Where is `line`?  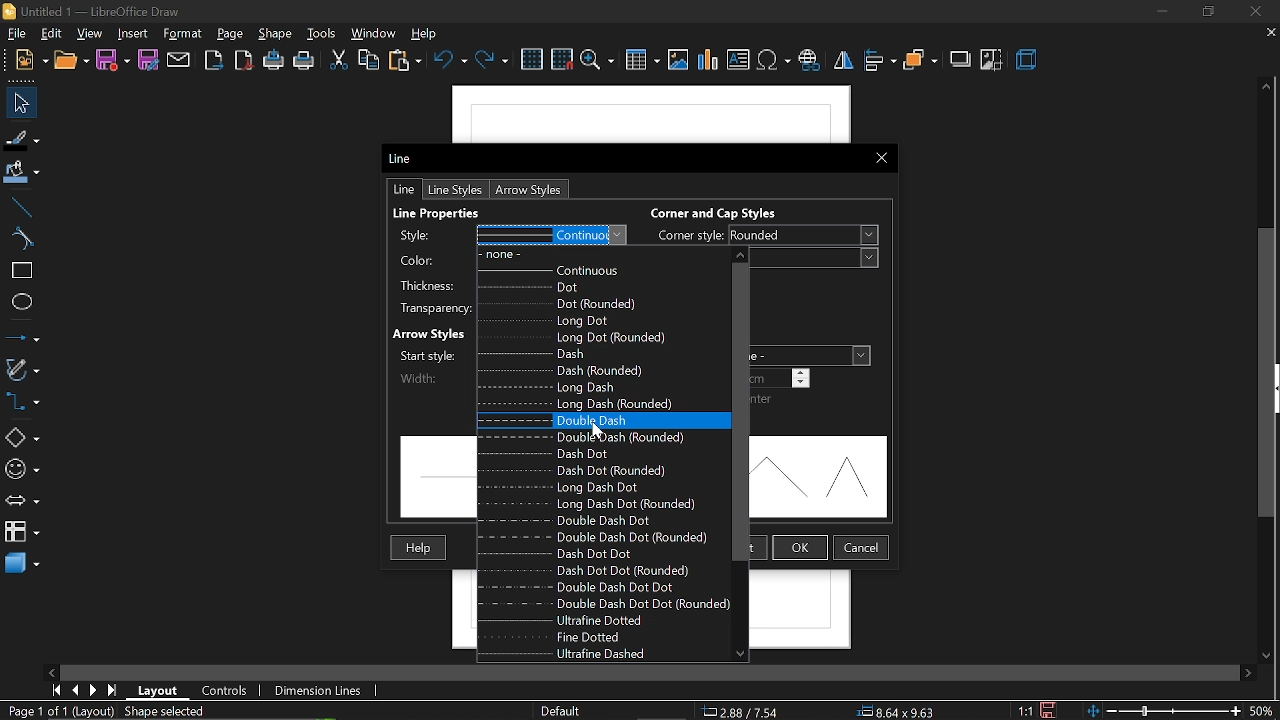 line is located at coordinates (402, 189).